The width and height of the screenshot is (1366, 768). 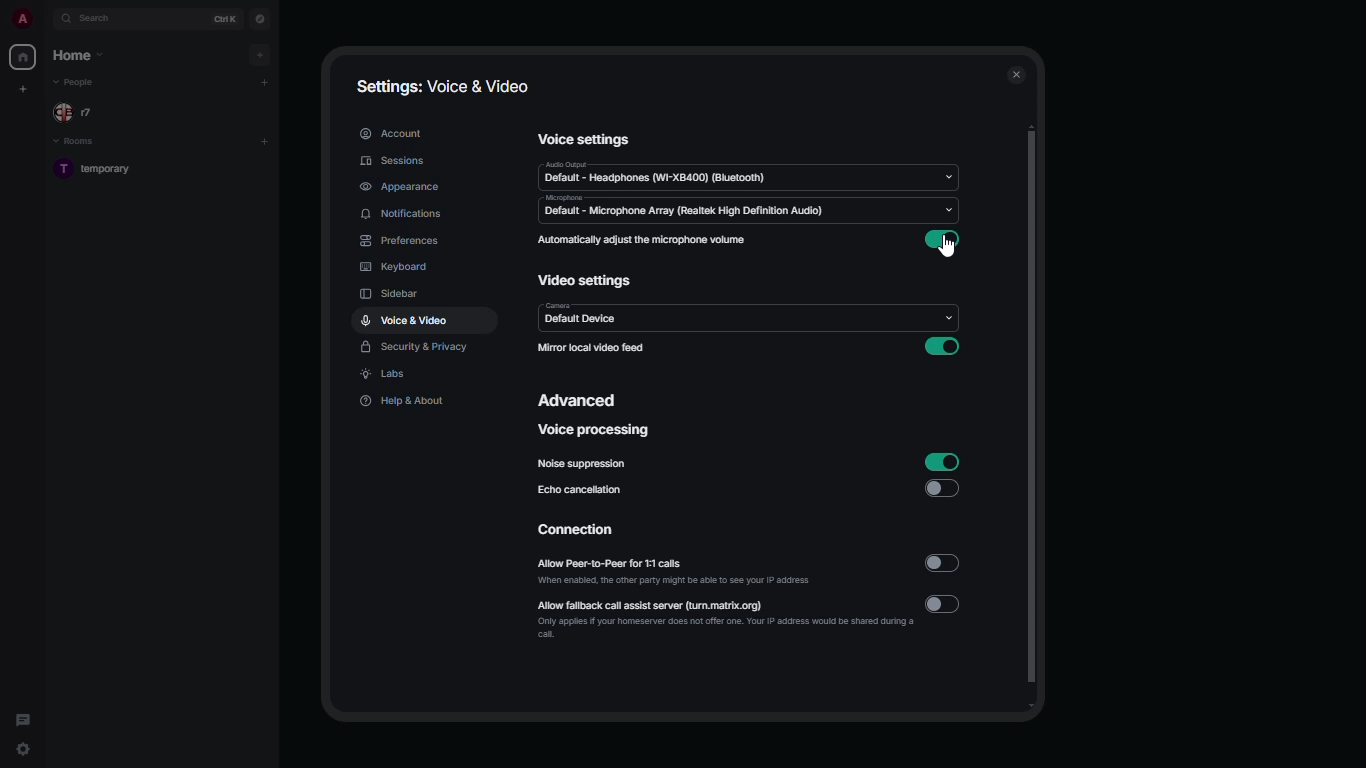 What do you see at coordinates (591, 348) in the screenshot?
I see `mirror local video feed` at bounding box center [591, 348].